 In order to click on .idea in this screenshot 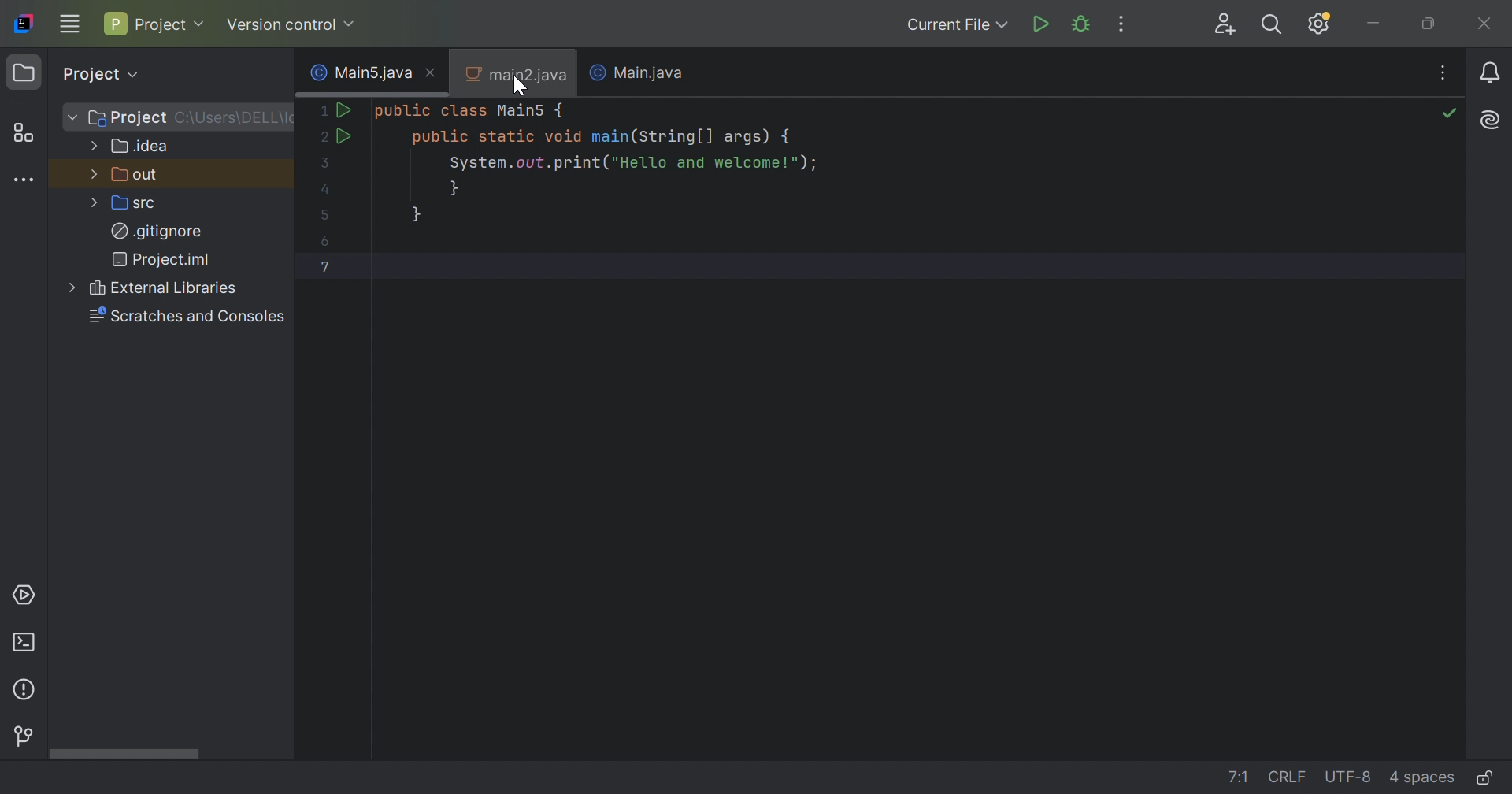, I will do `click(142, 147)`.